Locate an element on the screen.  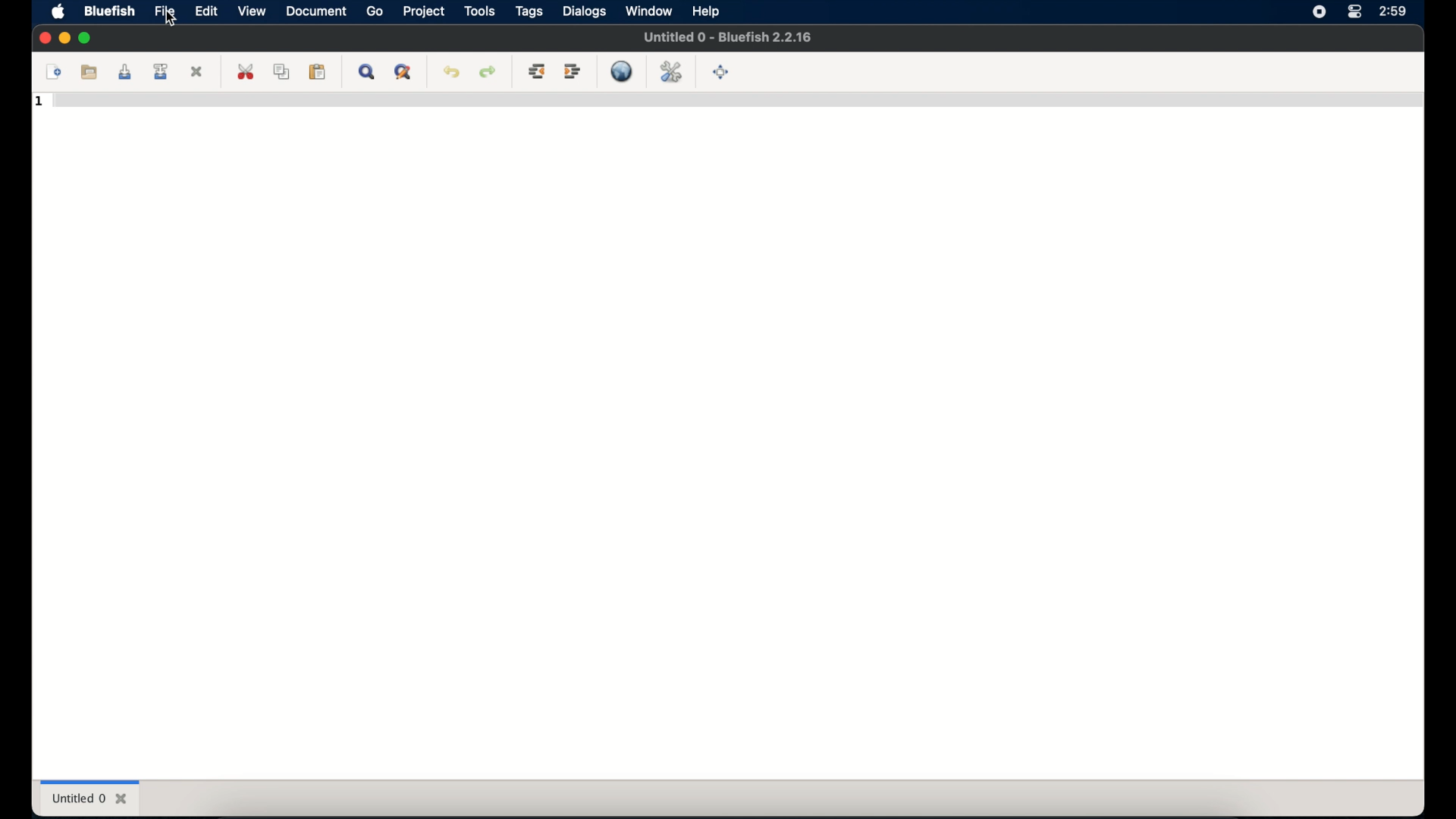
cut is located at coordinates (246, 71).